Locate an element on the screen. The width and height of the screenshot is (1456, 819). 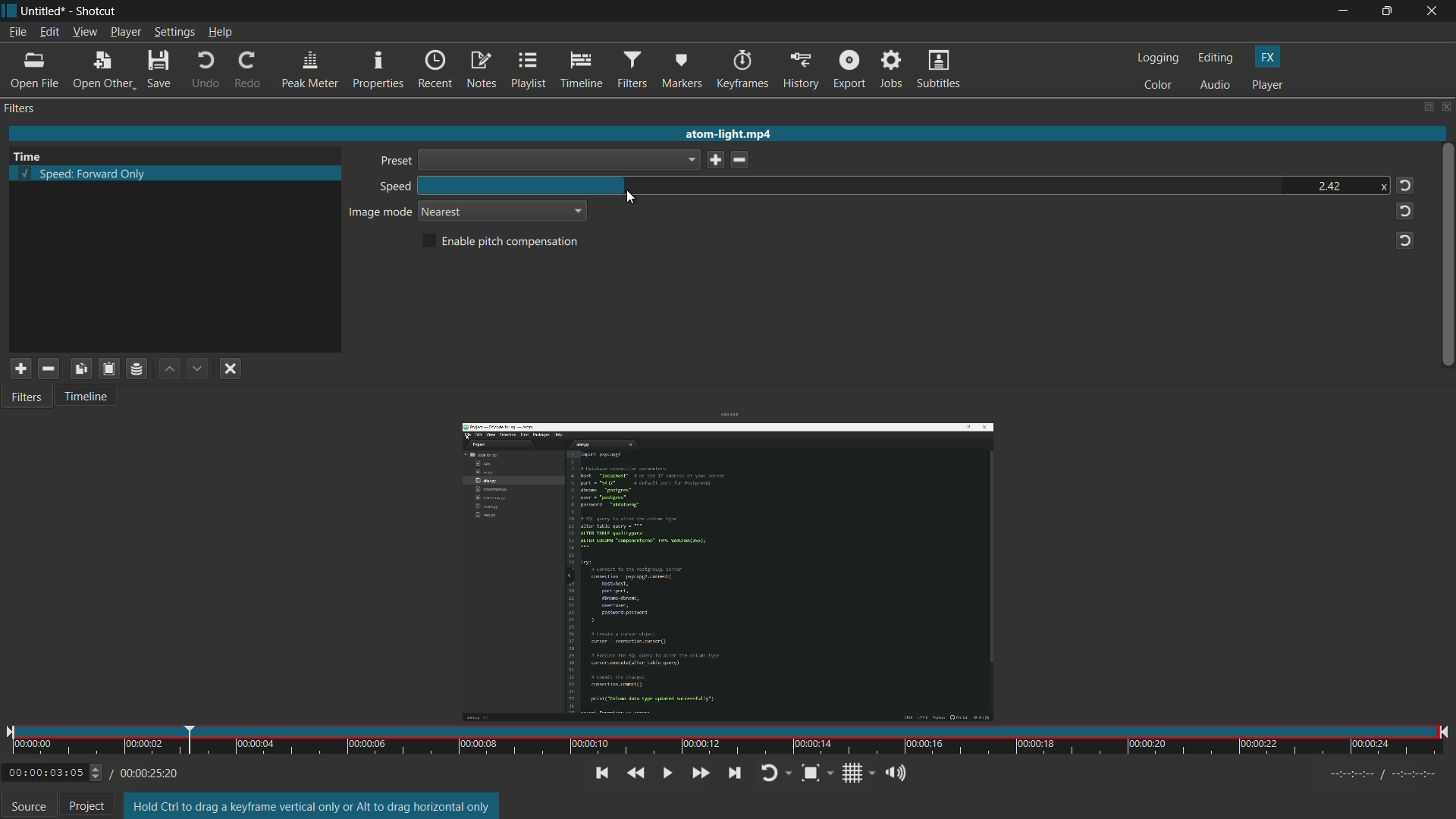
close panel is located at coordinates (1447, 106).